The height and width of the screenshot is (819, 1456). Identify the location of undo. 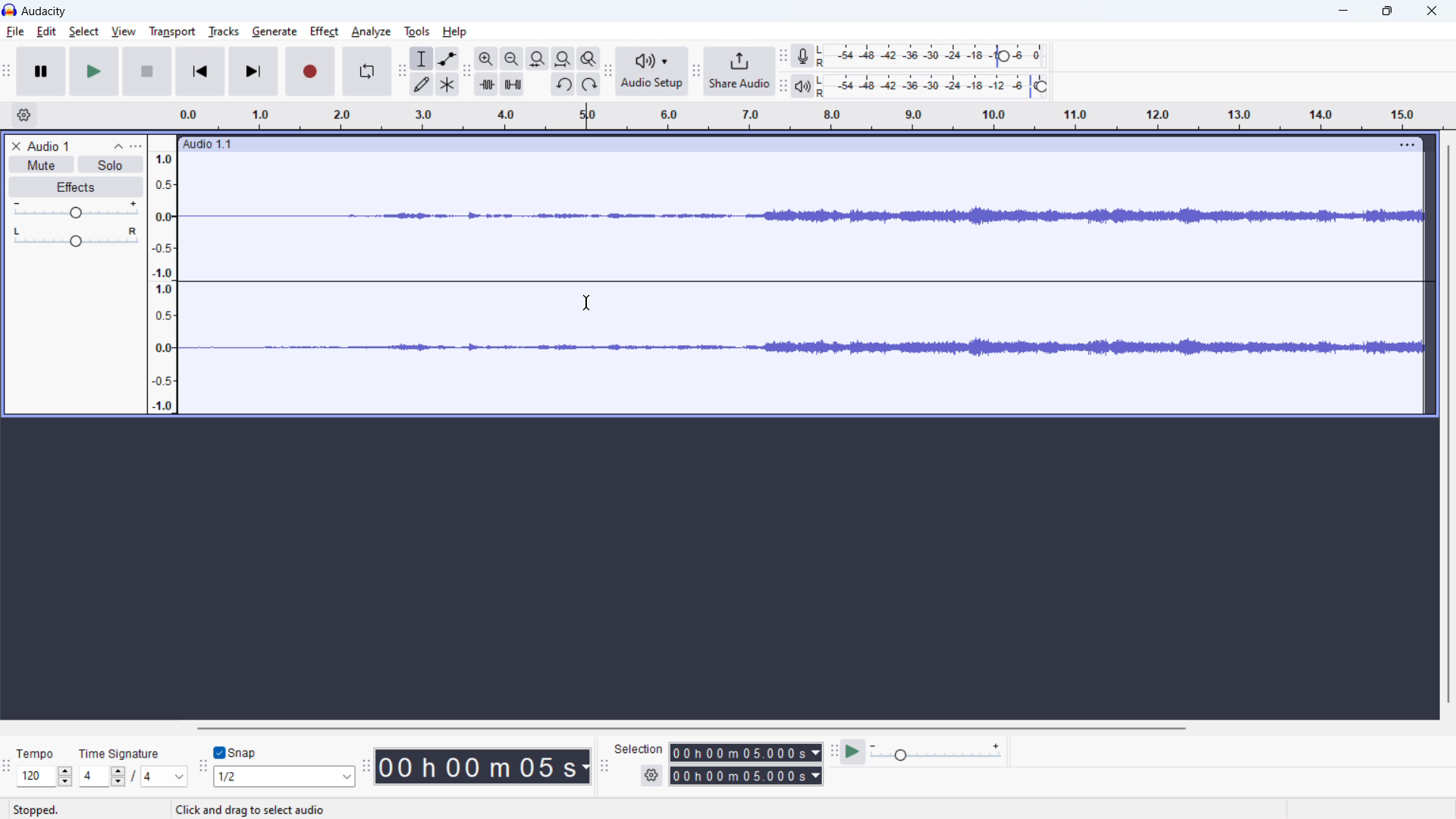
(563, 84).